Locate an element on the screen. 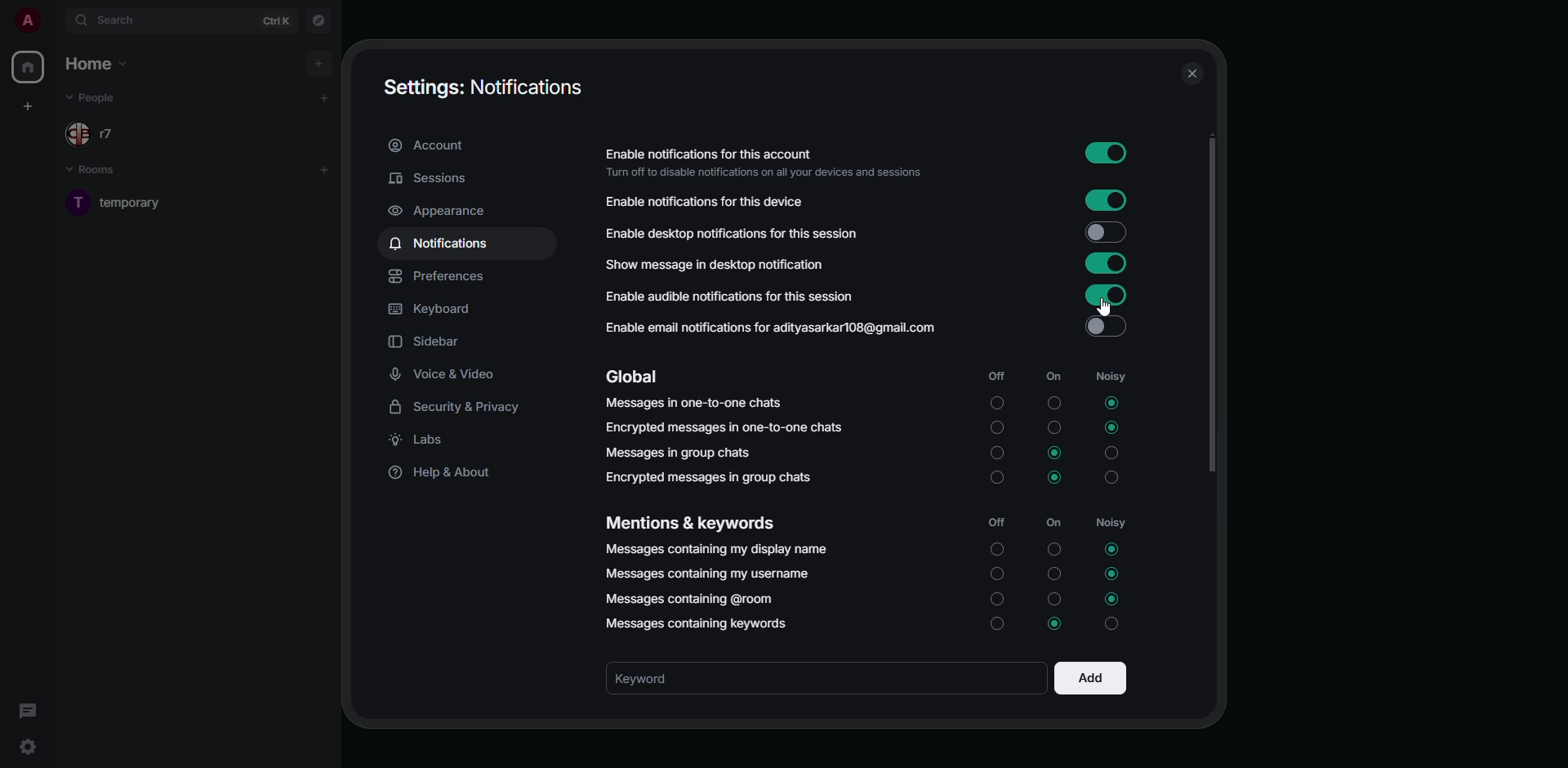 The width and height of the screenshot is (1568, 768). off is located at coordinates (995, 453).